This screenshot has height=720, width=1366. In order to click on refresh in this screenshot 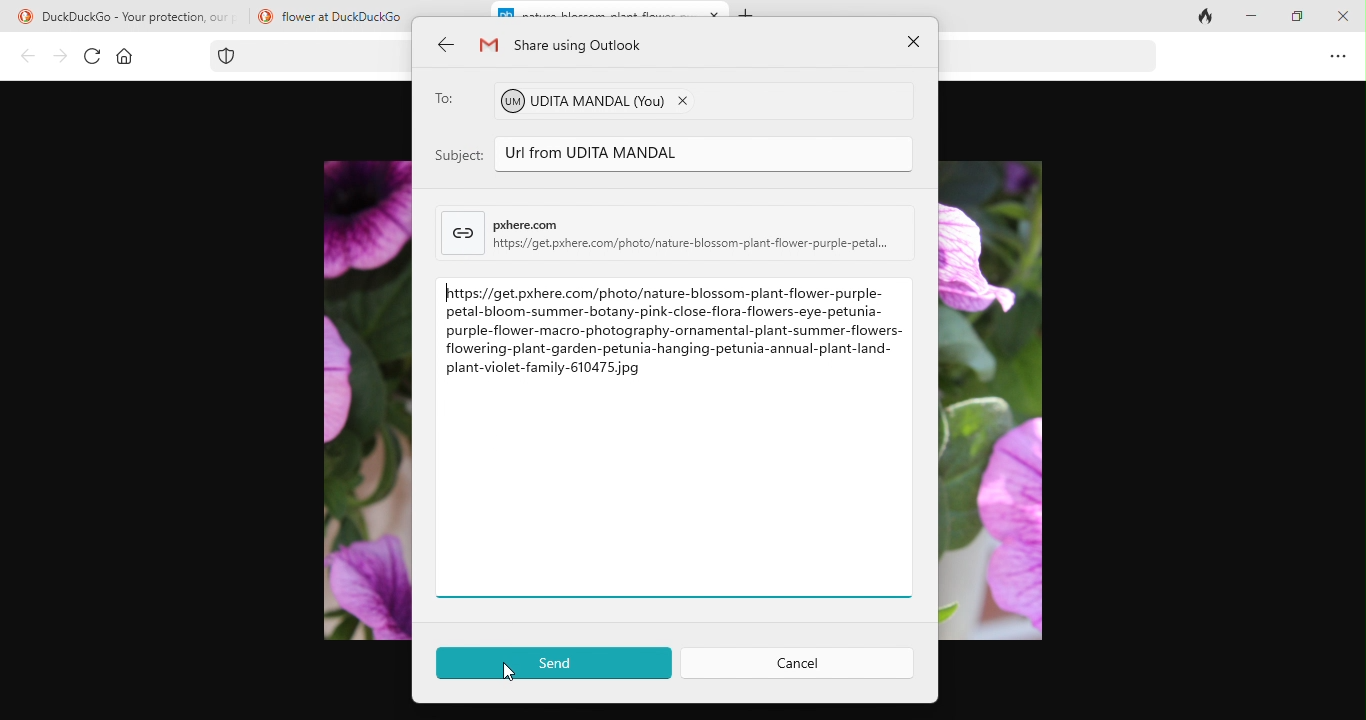, I will do `click(89, 56)`.